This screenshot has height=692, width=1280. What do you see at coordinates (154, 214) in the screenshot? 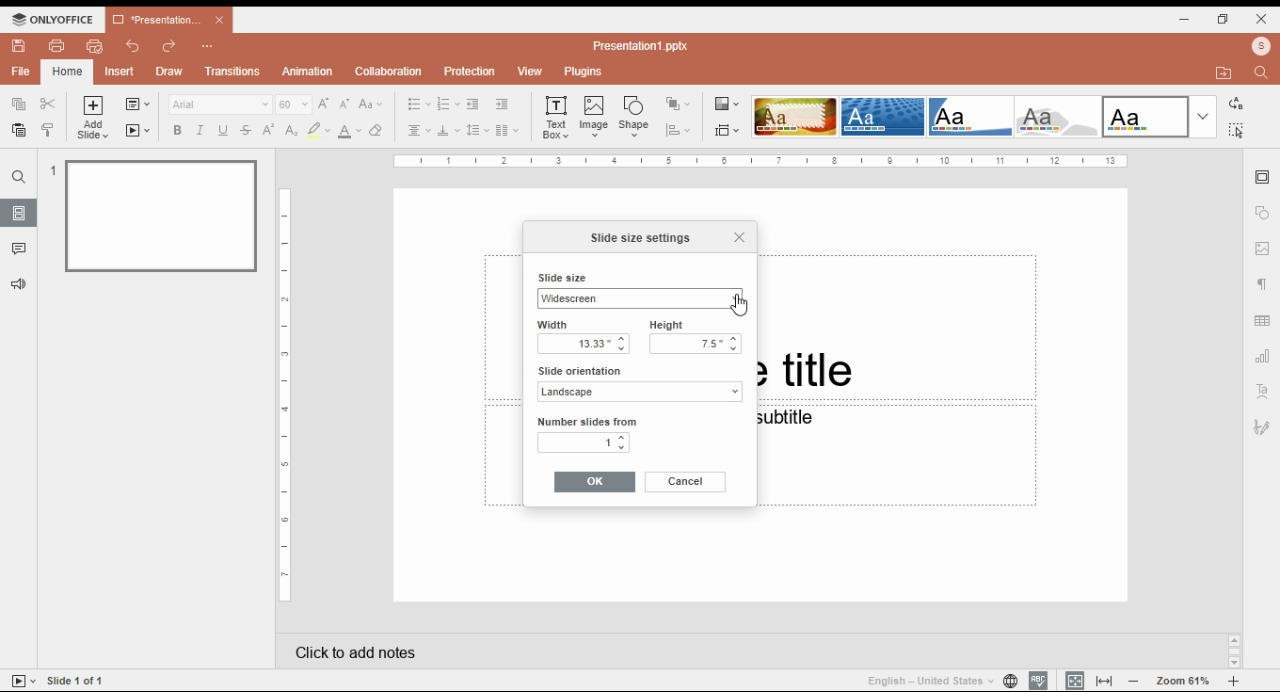
I see `slide 1` at bounding box center [154, 214].